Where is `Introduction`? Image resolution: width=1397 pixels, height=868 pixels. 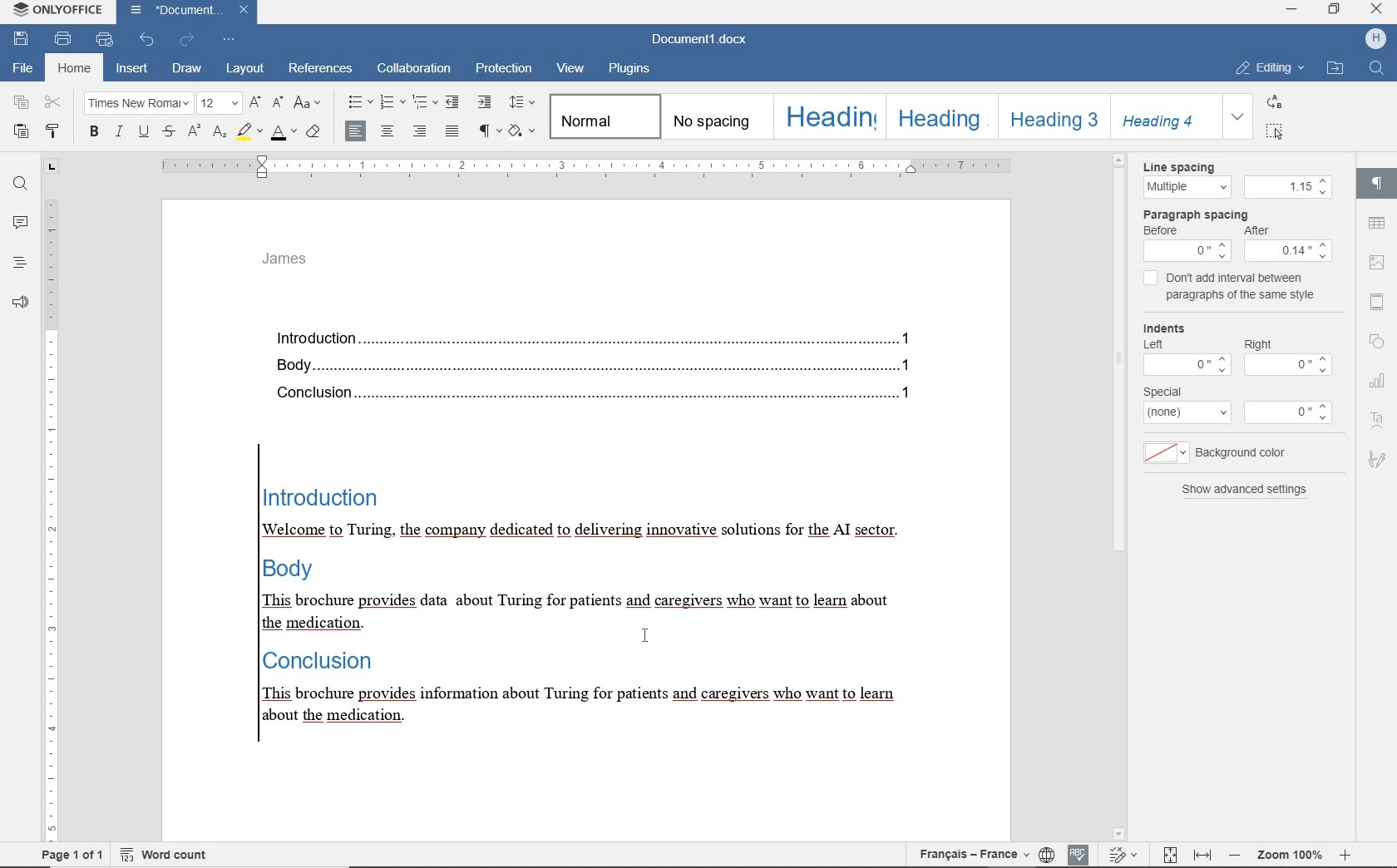
Introduction is located at coordinates (358, 498).